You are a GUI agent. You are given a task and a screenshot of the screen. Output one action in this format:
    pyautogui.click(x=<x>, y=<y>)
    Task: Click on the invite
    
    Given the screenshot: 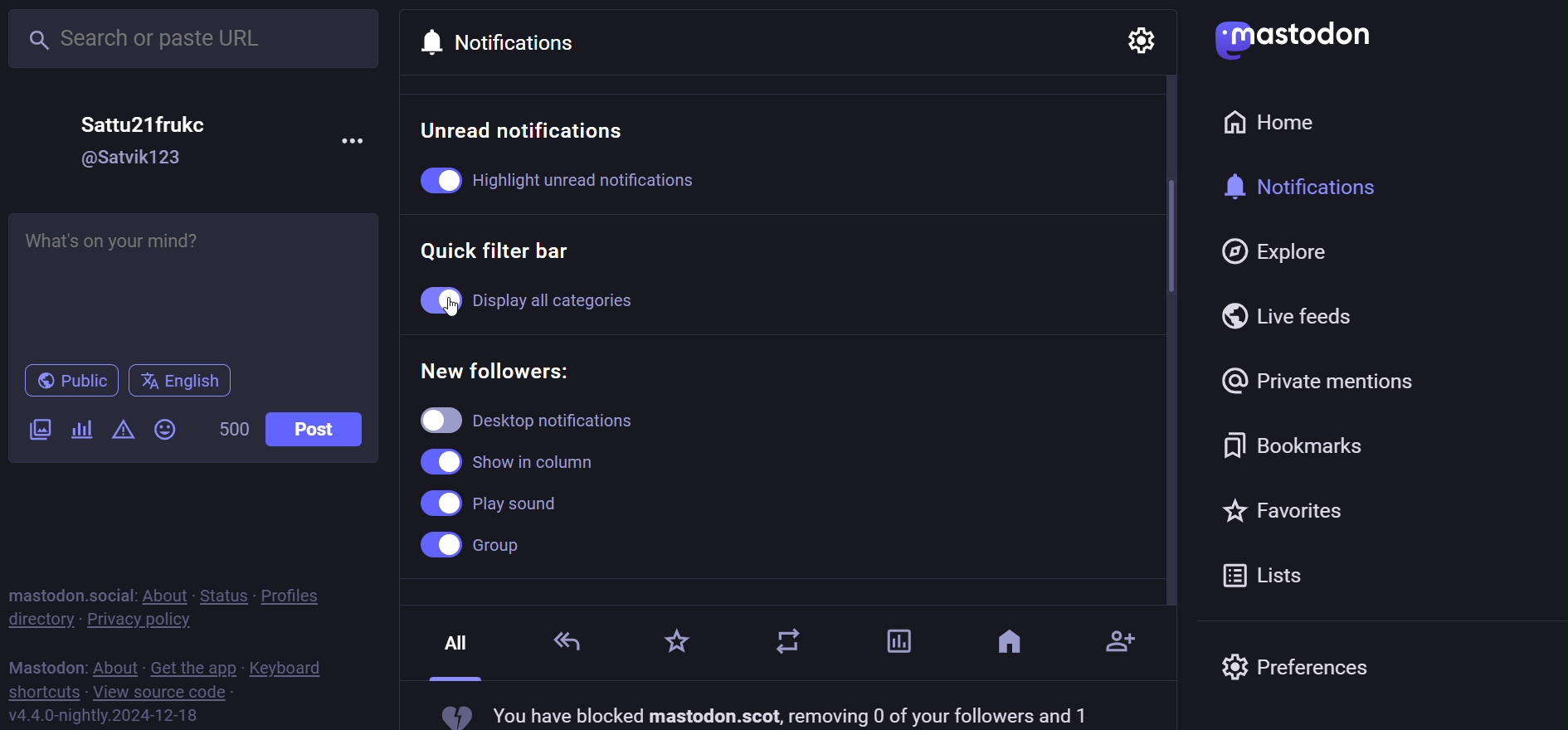 What is the action you would take?
    pyautogui.click(x=1122, y=636)
    